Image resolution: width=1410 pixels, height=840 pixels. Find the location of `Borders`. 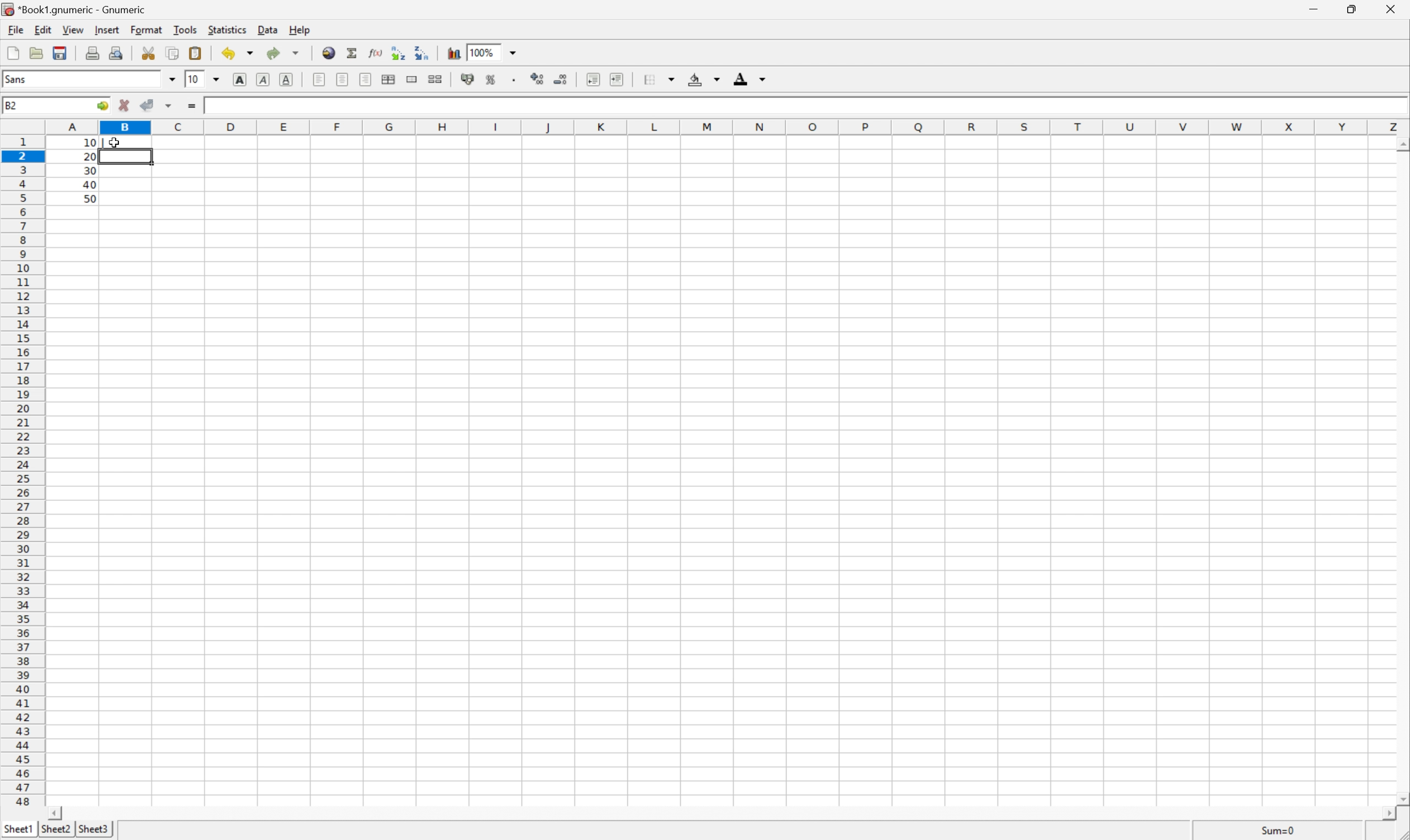

Borders is located at coordinates (659, 79).